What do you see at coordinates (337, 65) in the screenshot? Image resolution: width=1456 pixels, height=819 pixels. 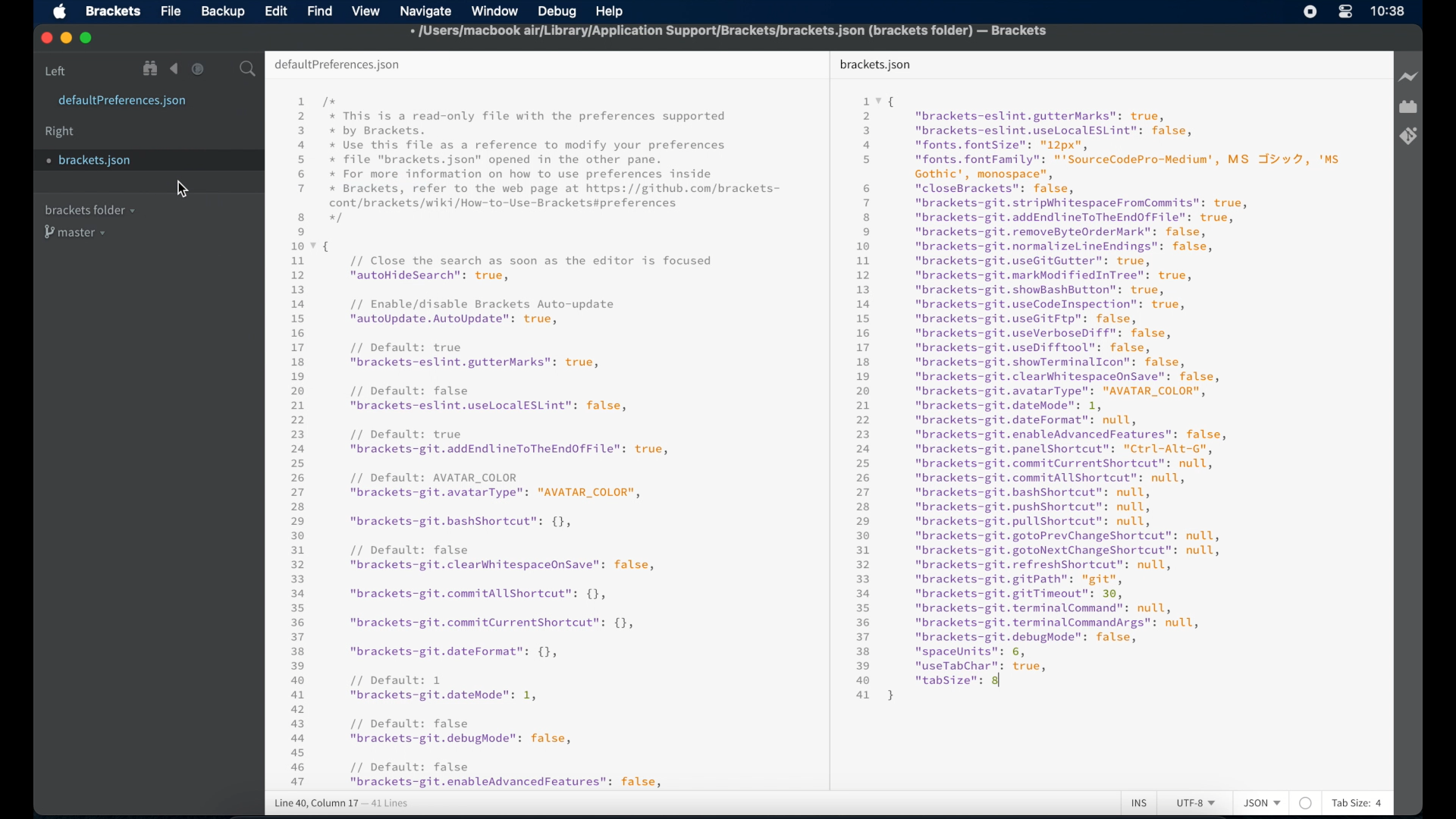 I see `default preferences.json` at bounding box center [337, 65].